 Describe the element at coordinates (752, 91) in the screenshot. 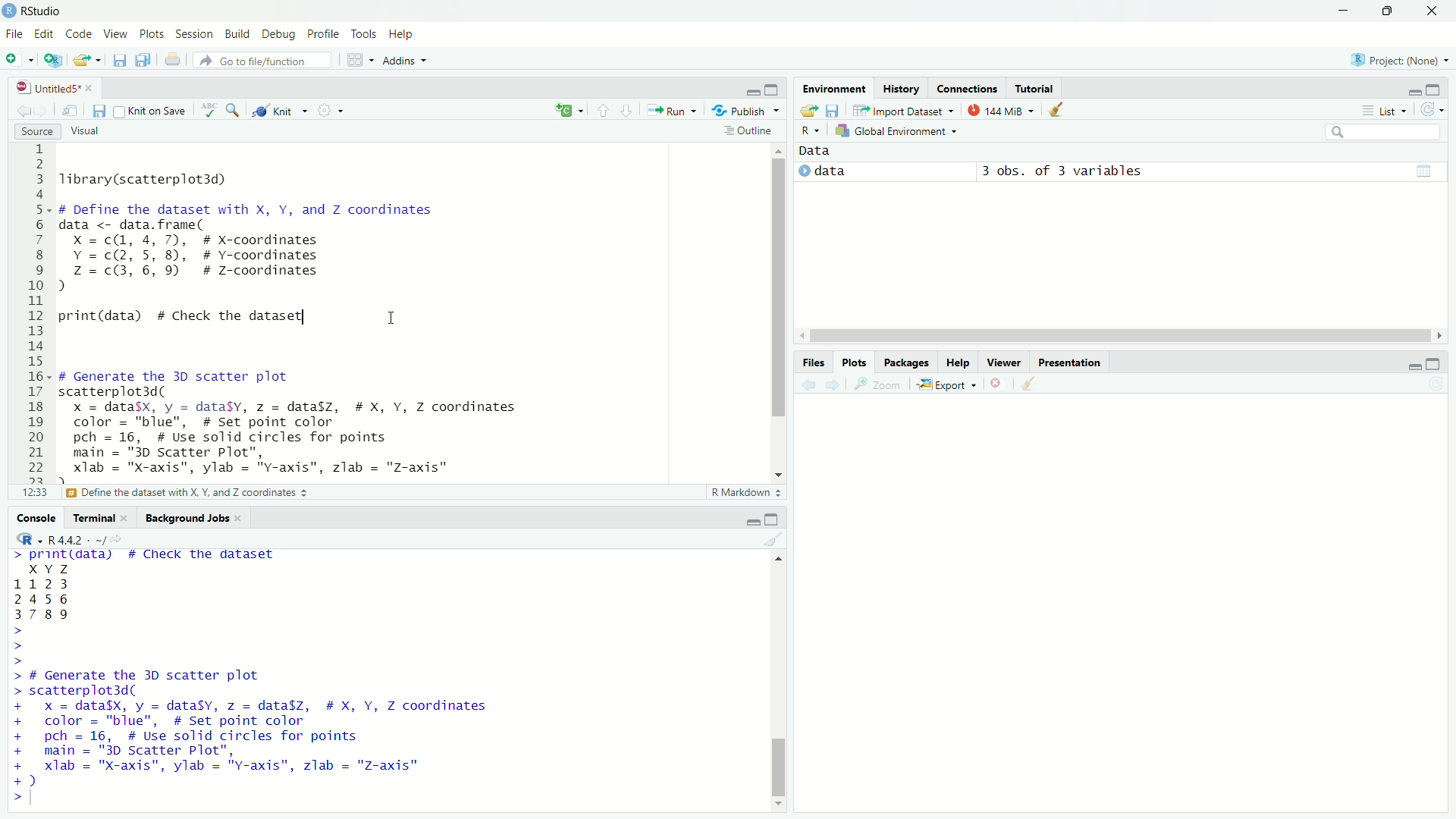

I see `minimize` at that location.